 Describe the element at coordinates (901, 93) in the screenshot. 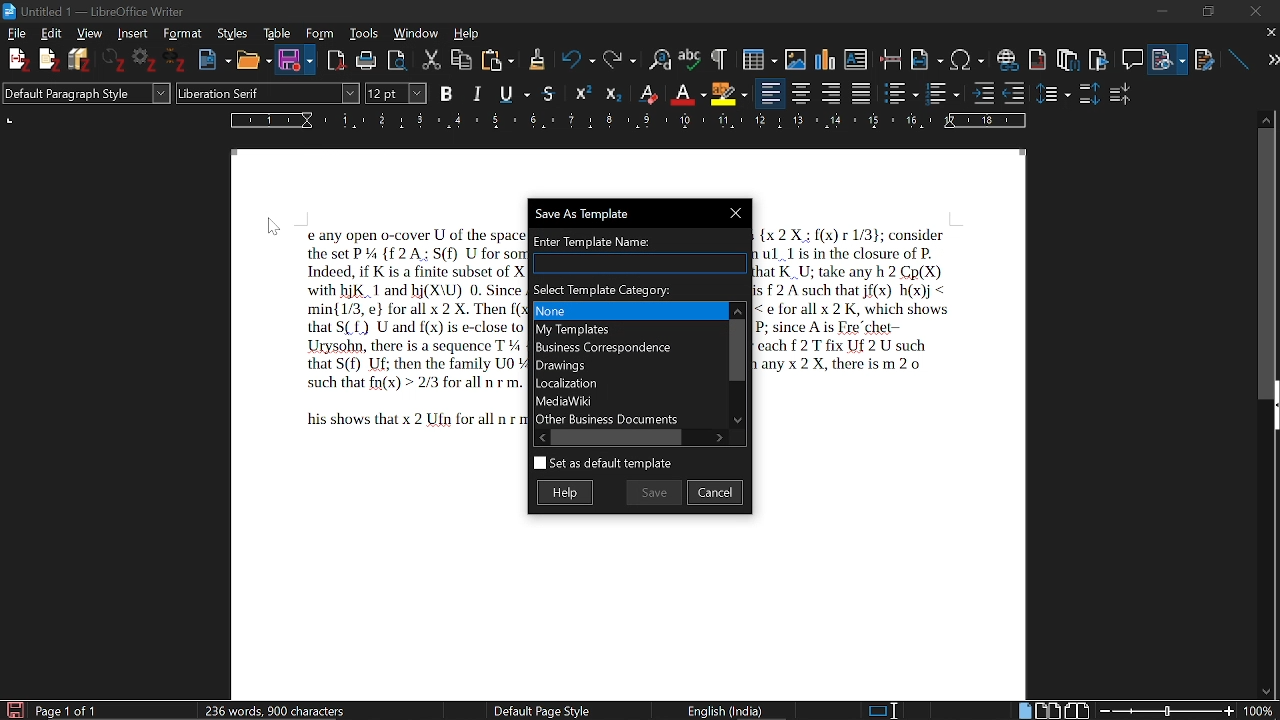

I see `toggled unordered list` at that location.